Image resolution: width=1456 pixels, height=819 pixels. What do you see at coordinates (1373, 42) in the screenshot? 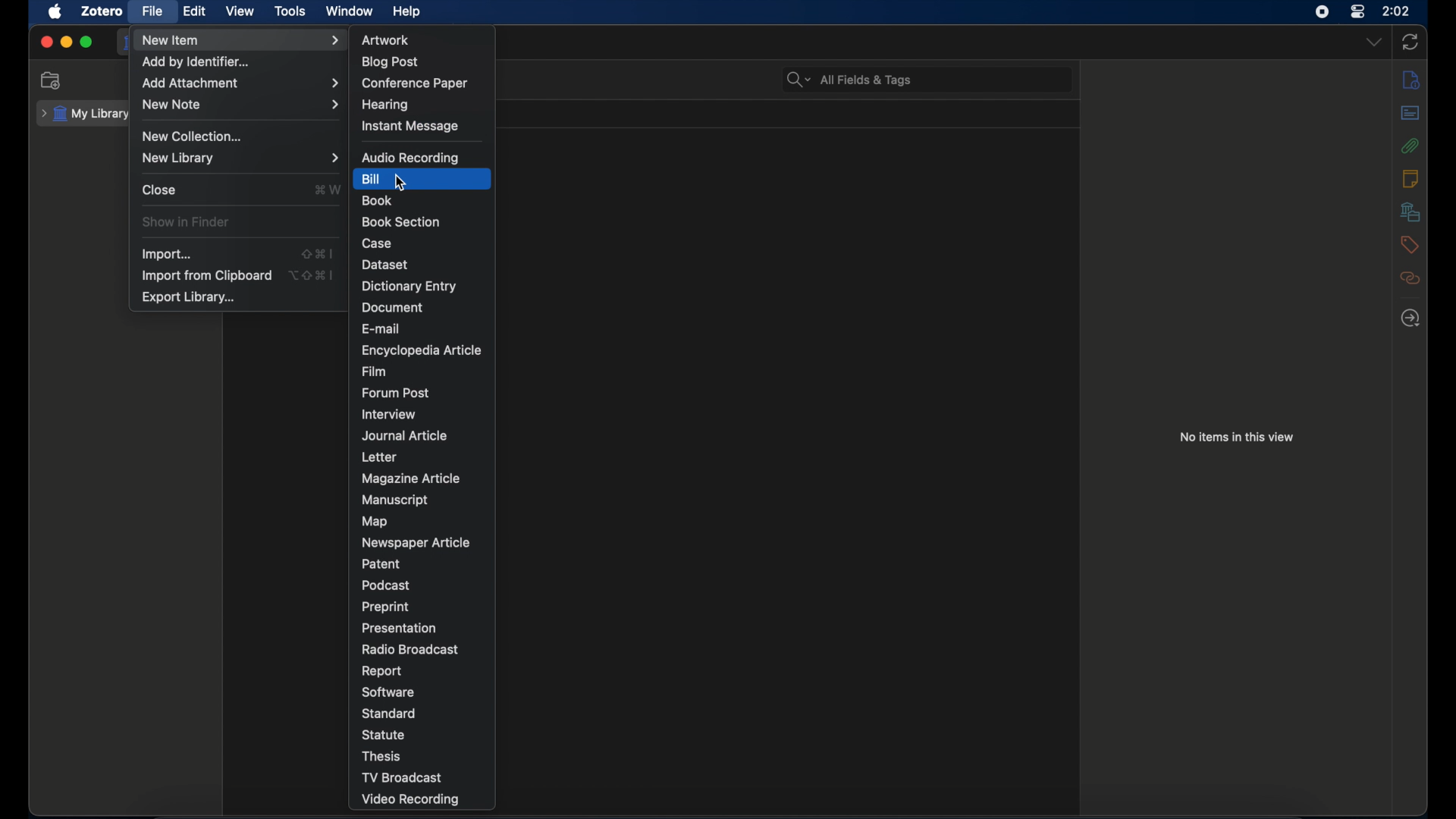
I see `dropdown` at bounding box center [1373, 42].